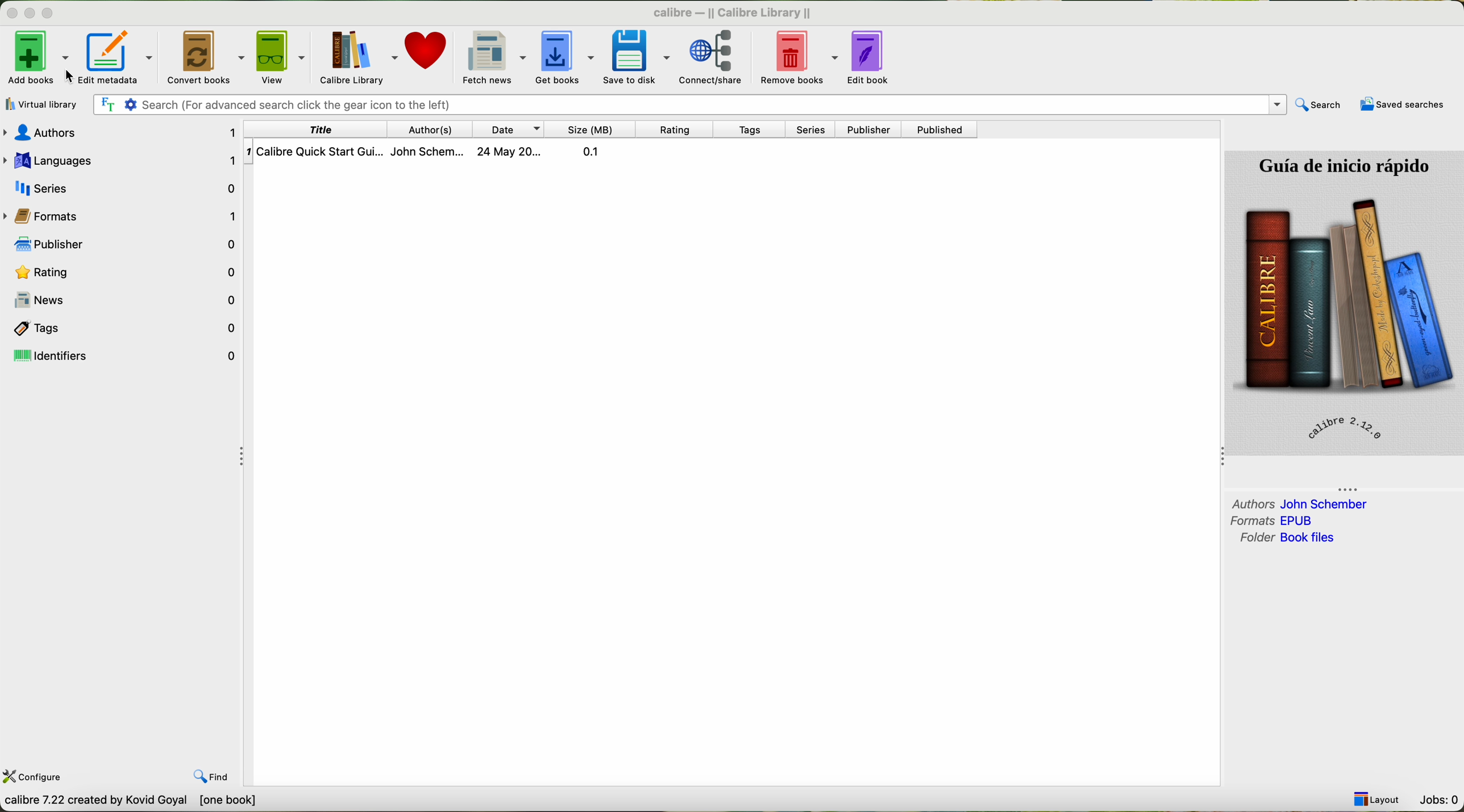  I want to click on convert books, so click(207, 57).